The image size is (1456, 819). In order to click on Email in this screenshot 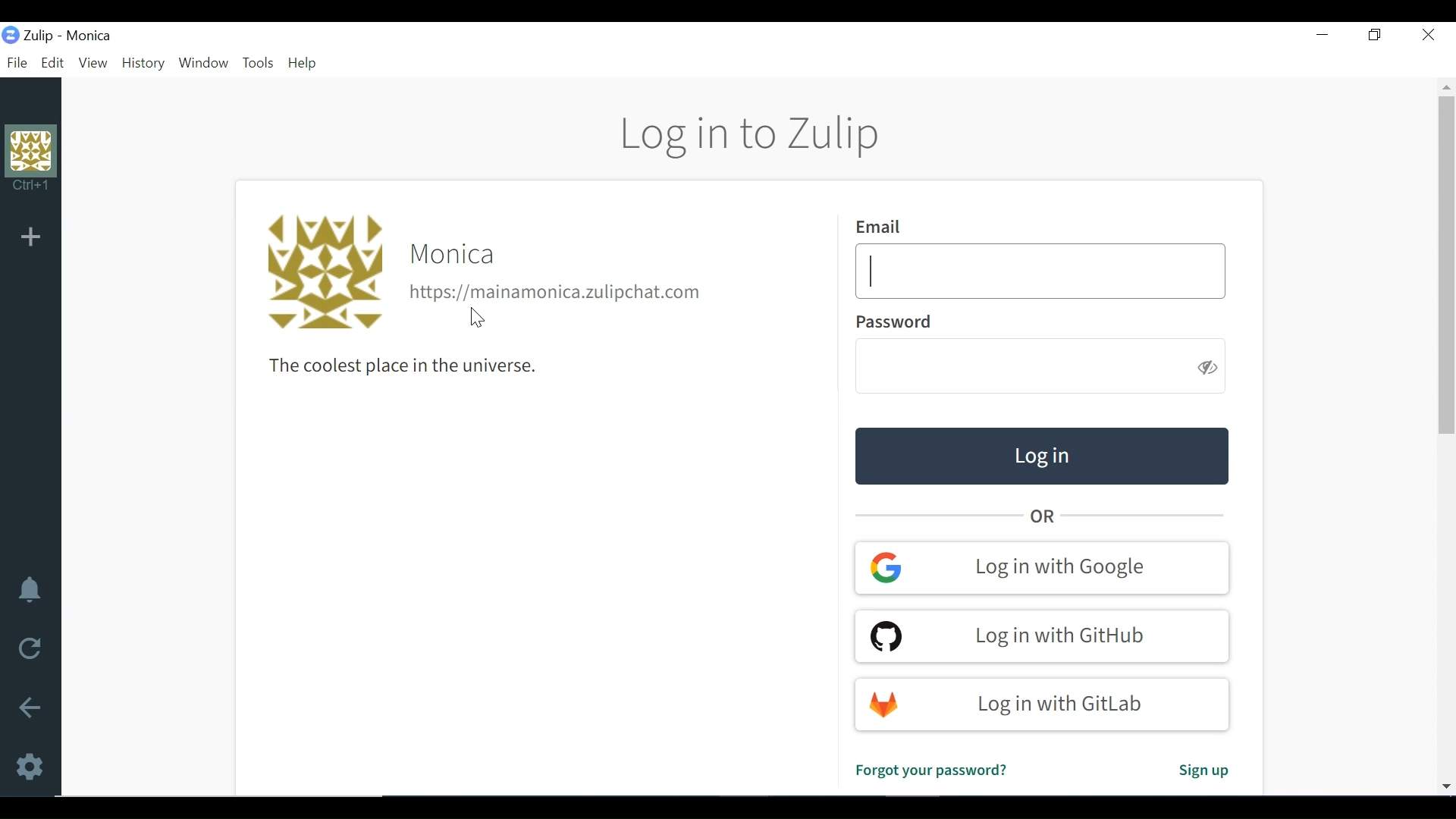, I will do `click(882, 227)`.